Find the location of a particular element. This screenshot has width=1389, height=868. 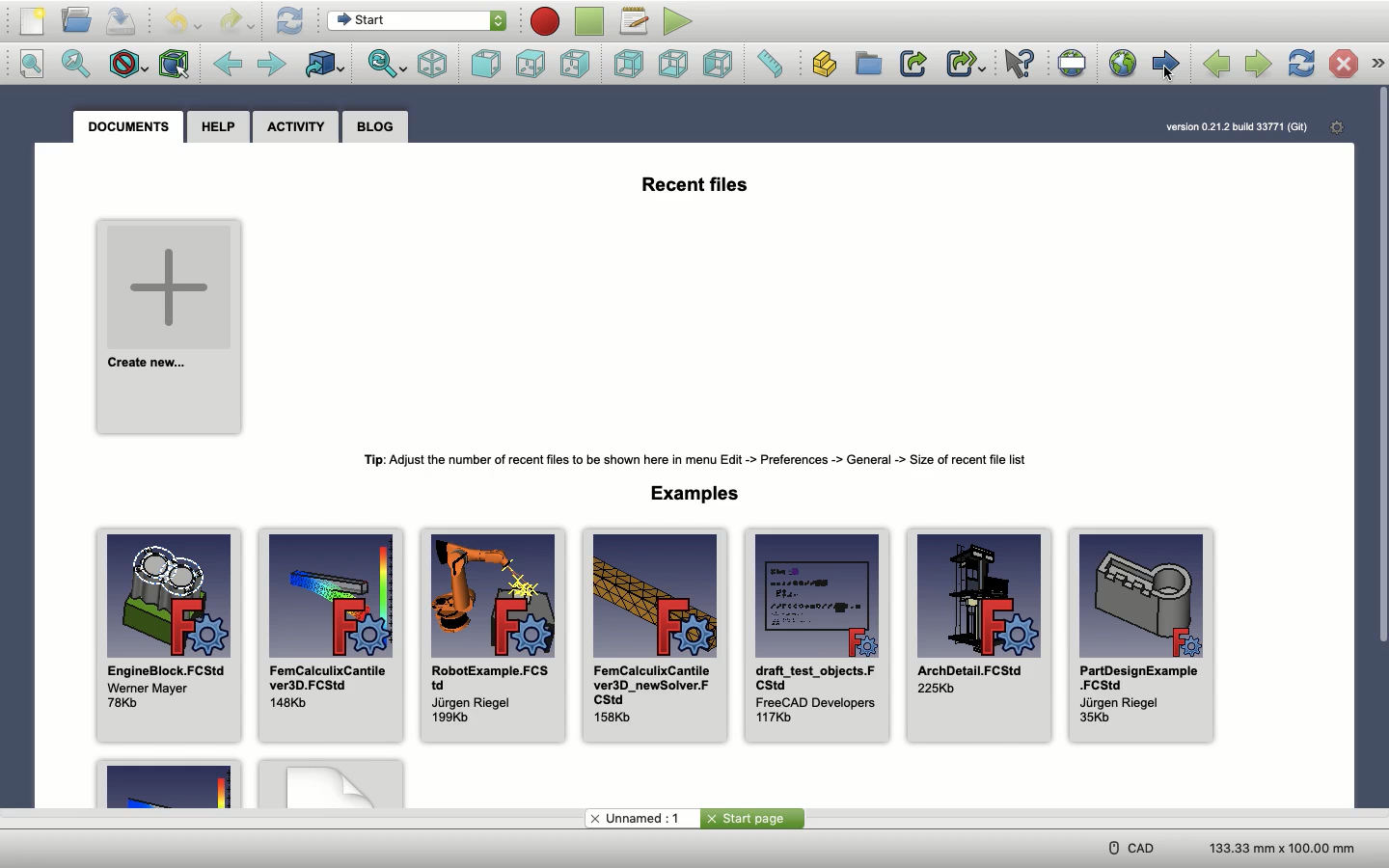

Top is located at coordinates (531, 66).